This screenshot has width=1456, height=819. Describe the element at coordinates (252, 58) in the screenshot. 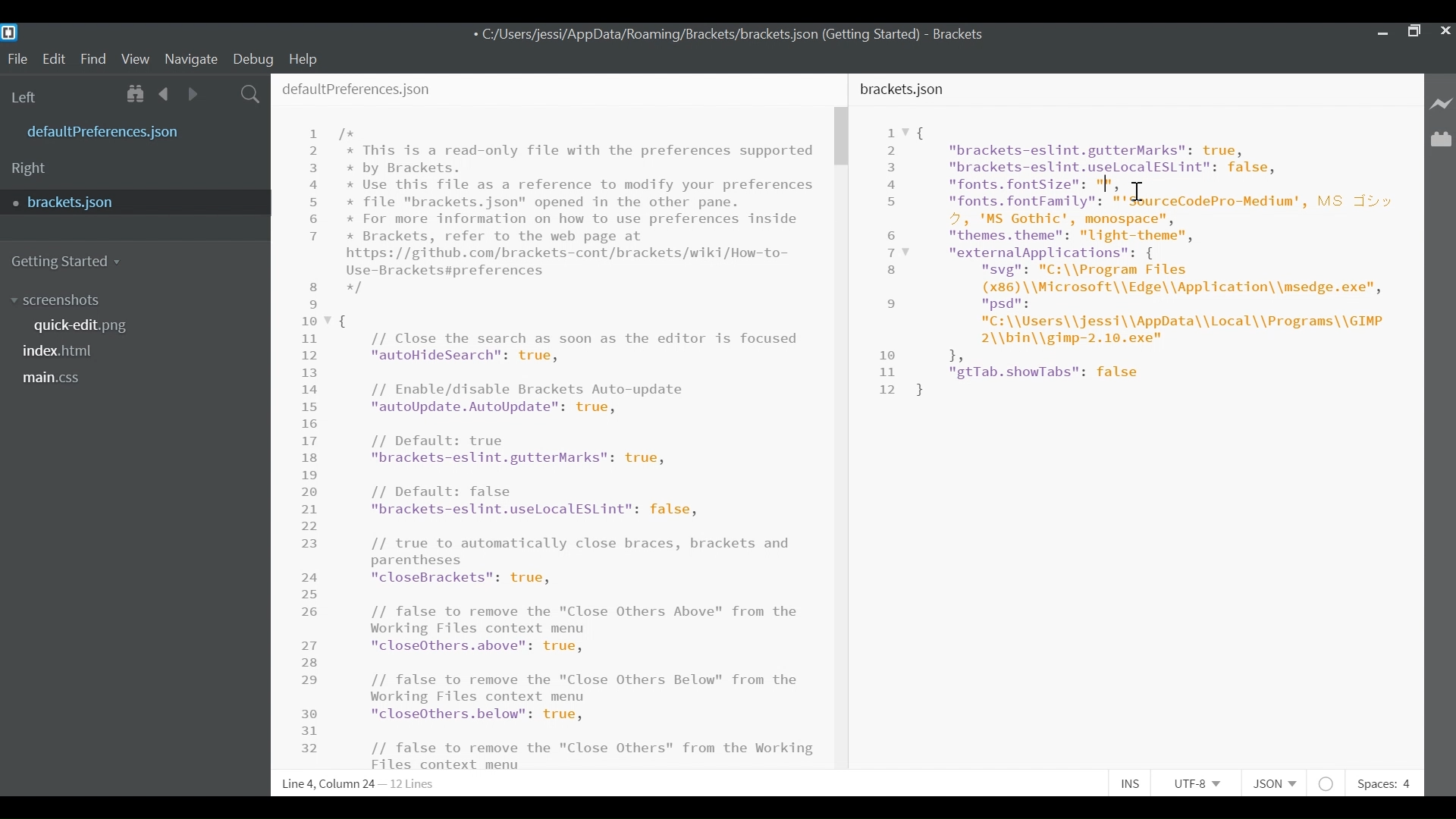

I see `Debug` at that location.